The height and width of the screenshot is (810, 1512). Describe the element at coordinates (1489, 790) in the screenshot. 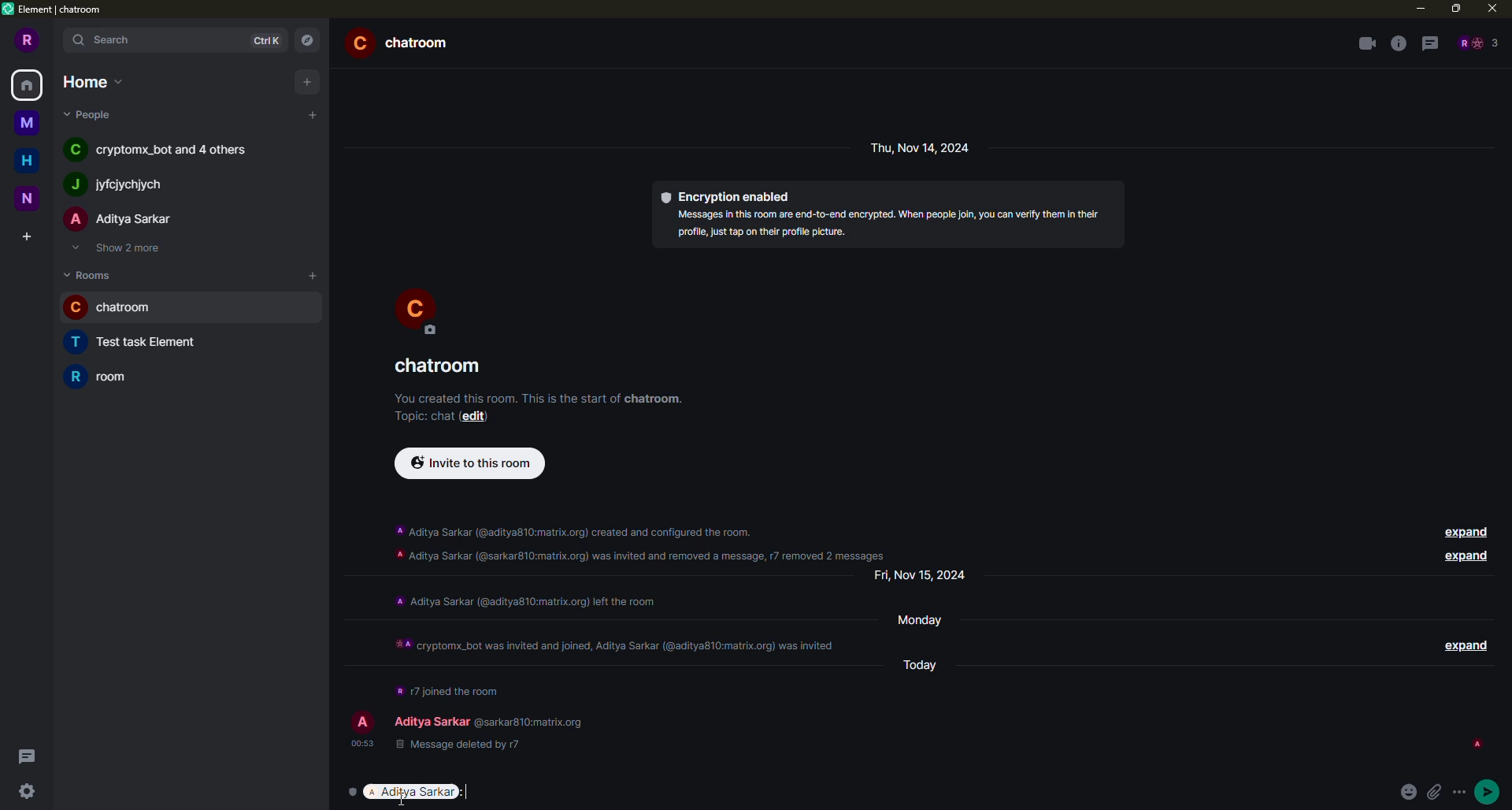

I see `sed` at that location.